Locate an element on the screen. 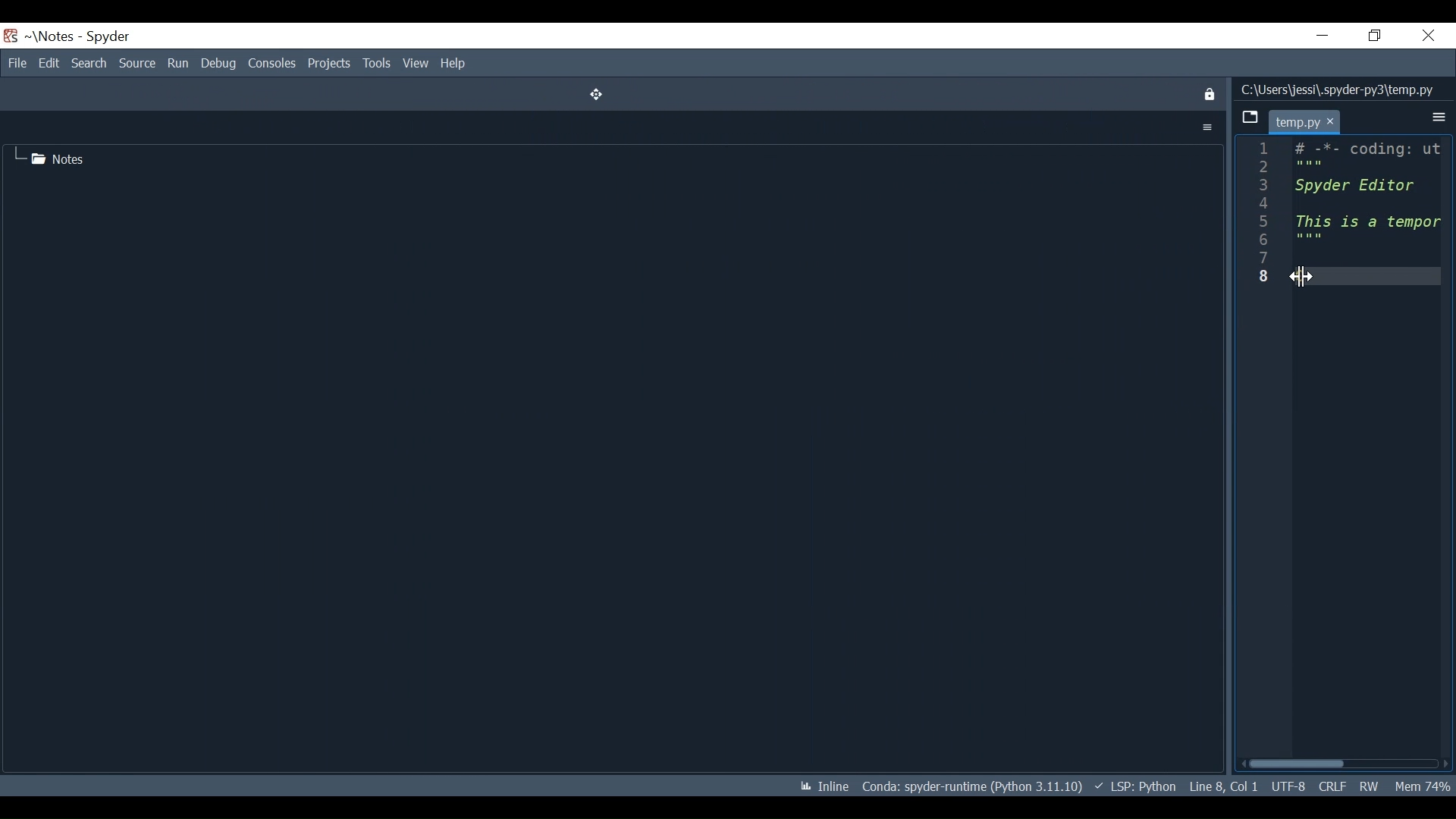 Image resolution: width=1456 pixels, height=819 pixels. LSP: Python is located at coordinates (1134, 786).